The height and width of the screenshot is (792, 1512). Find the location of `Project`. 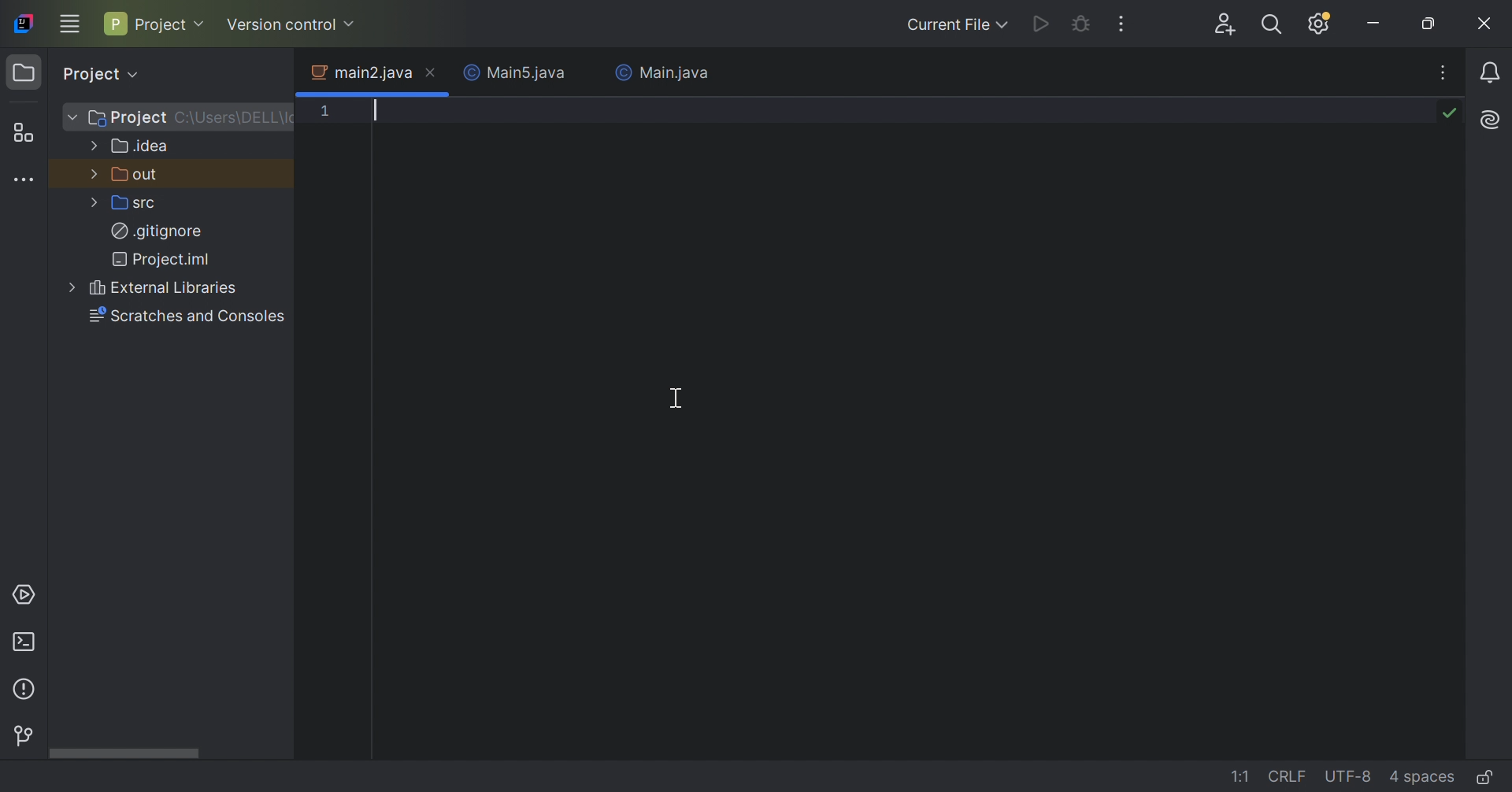

Project is located at coordinates (155, 22).